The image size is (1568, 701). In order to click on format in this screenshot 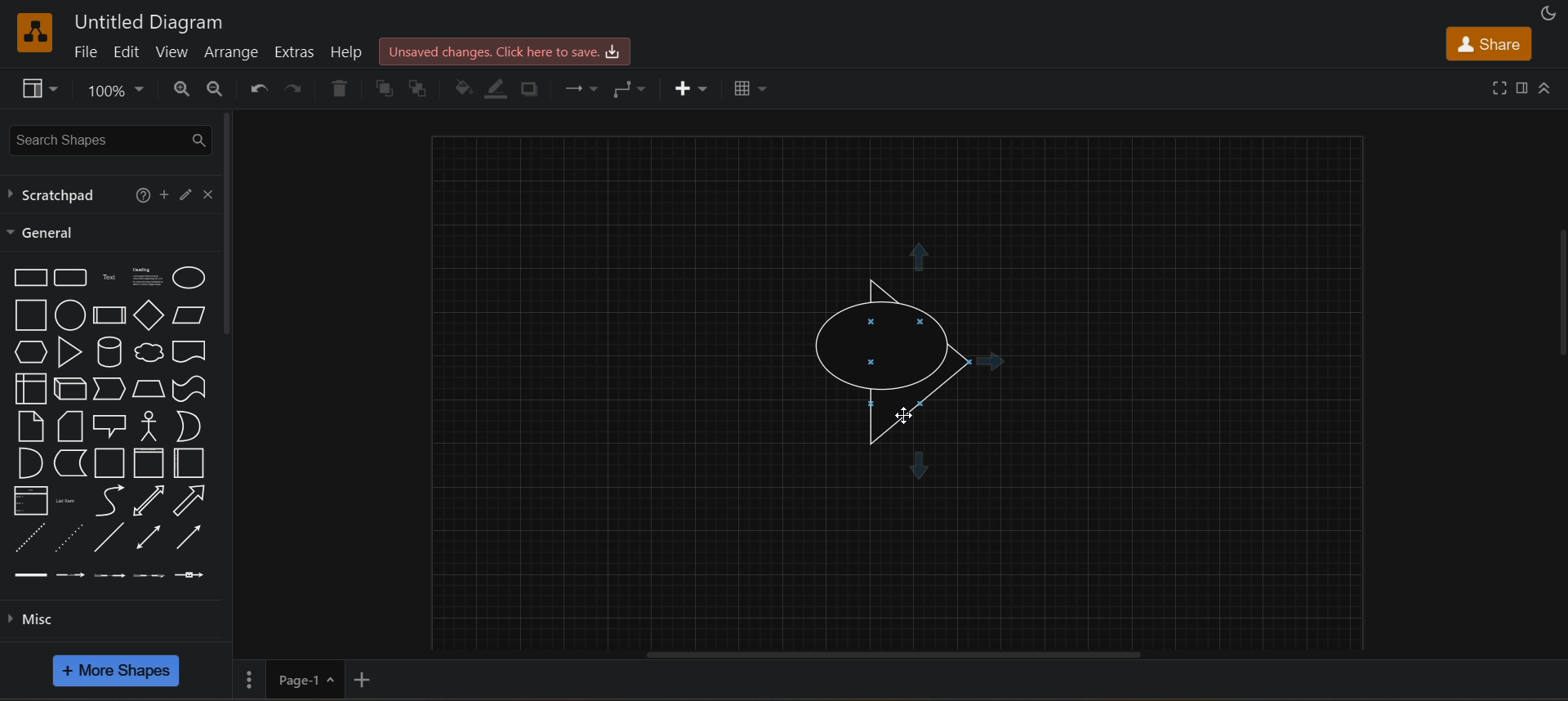, I will do `click(1520, 86)`.